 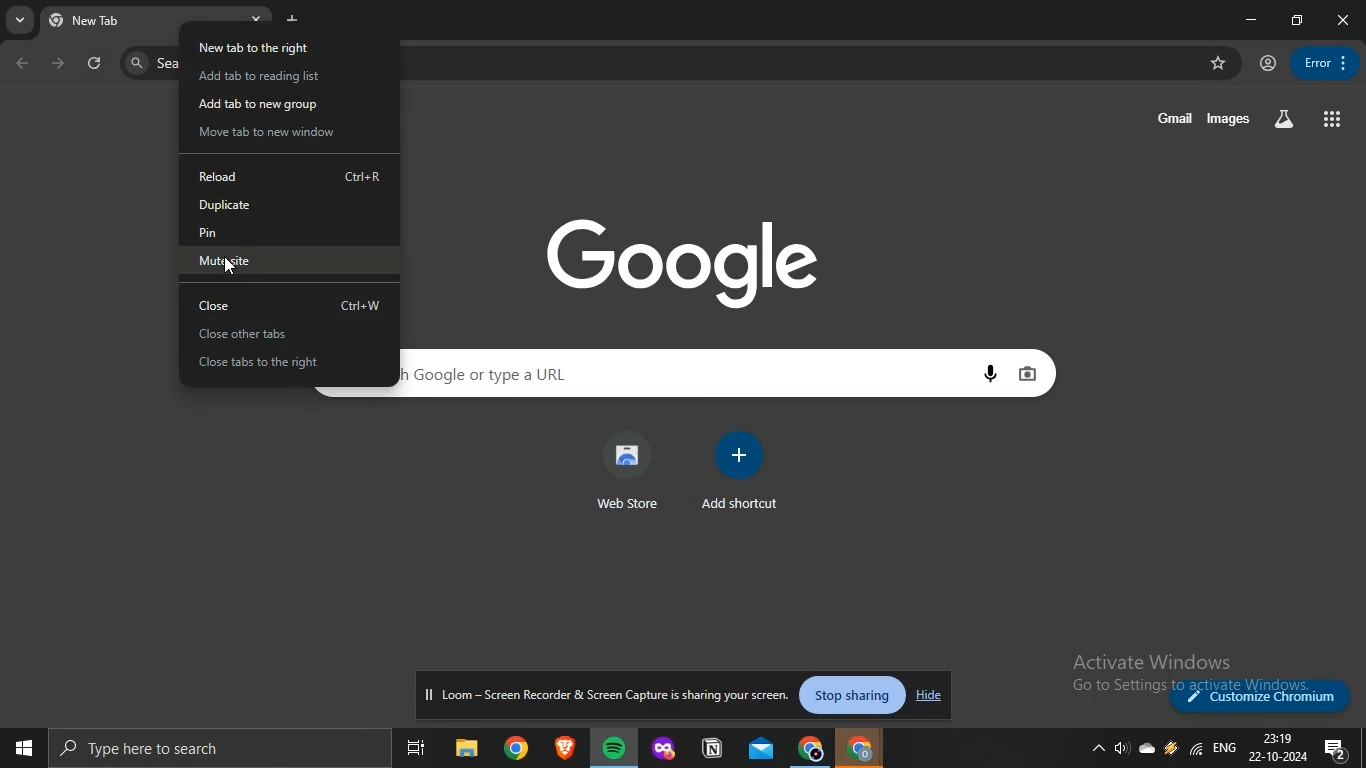 What do you see at coordinates (1194, 748) in the screenshot?
I see `wifi` at bounding box center [1194, 748].